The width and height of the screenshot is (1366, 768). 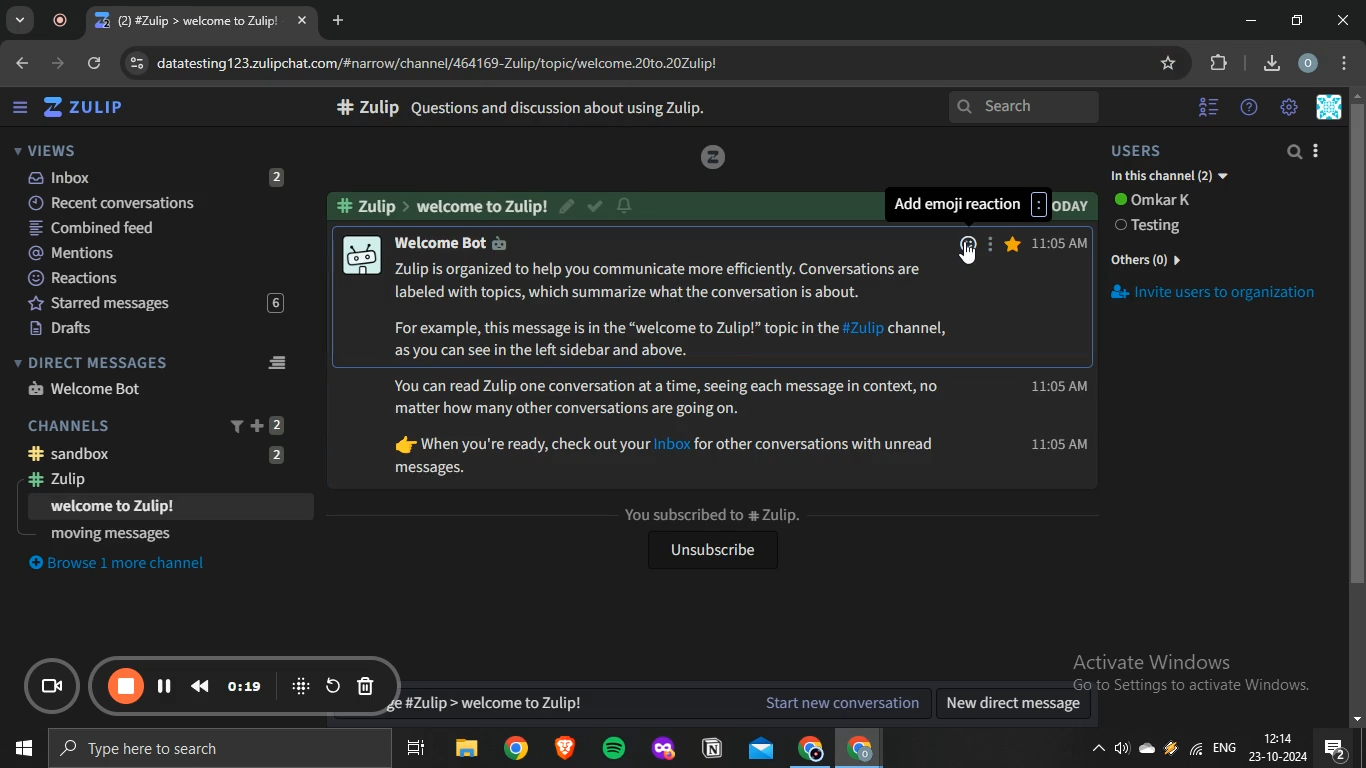 I want to click on bookmark this page, so click(x=1170, y=63).